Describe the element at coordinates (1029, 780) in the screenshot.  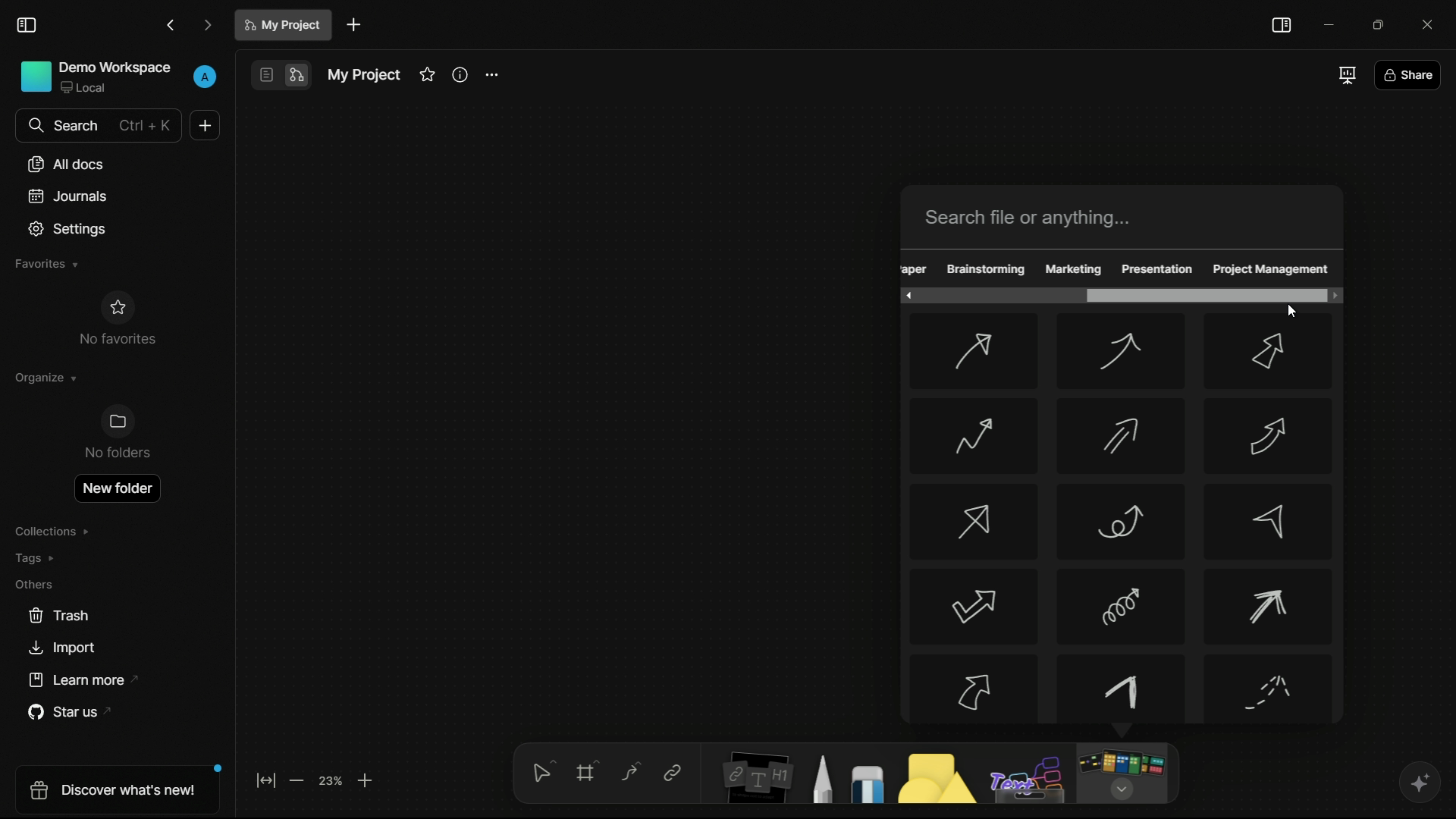
I see `others` at that location.